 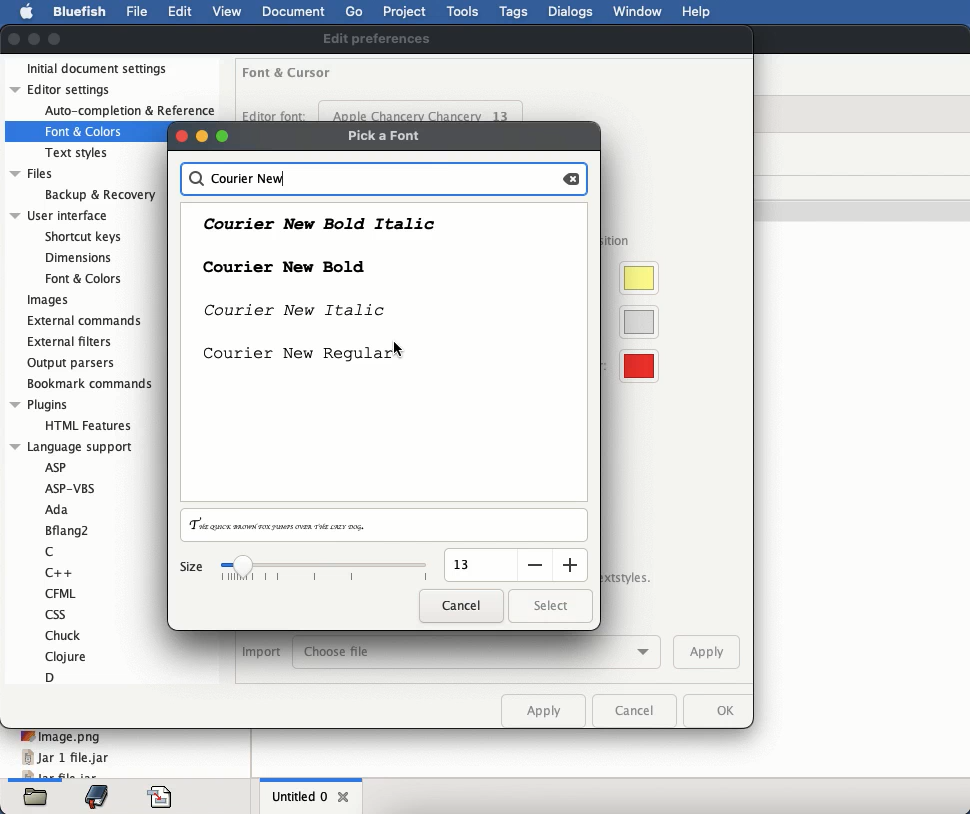 I want to click on output parsers, so click(x=73, y=365).